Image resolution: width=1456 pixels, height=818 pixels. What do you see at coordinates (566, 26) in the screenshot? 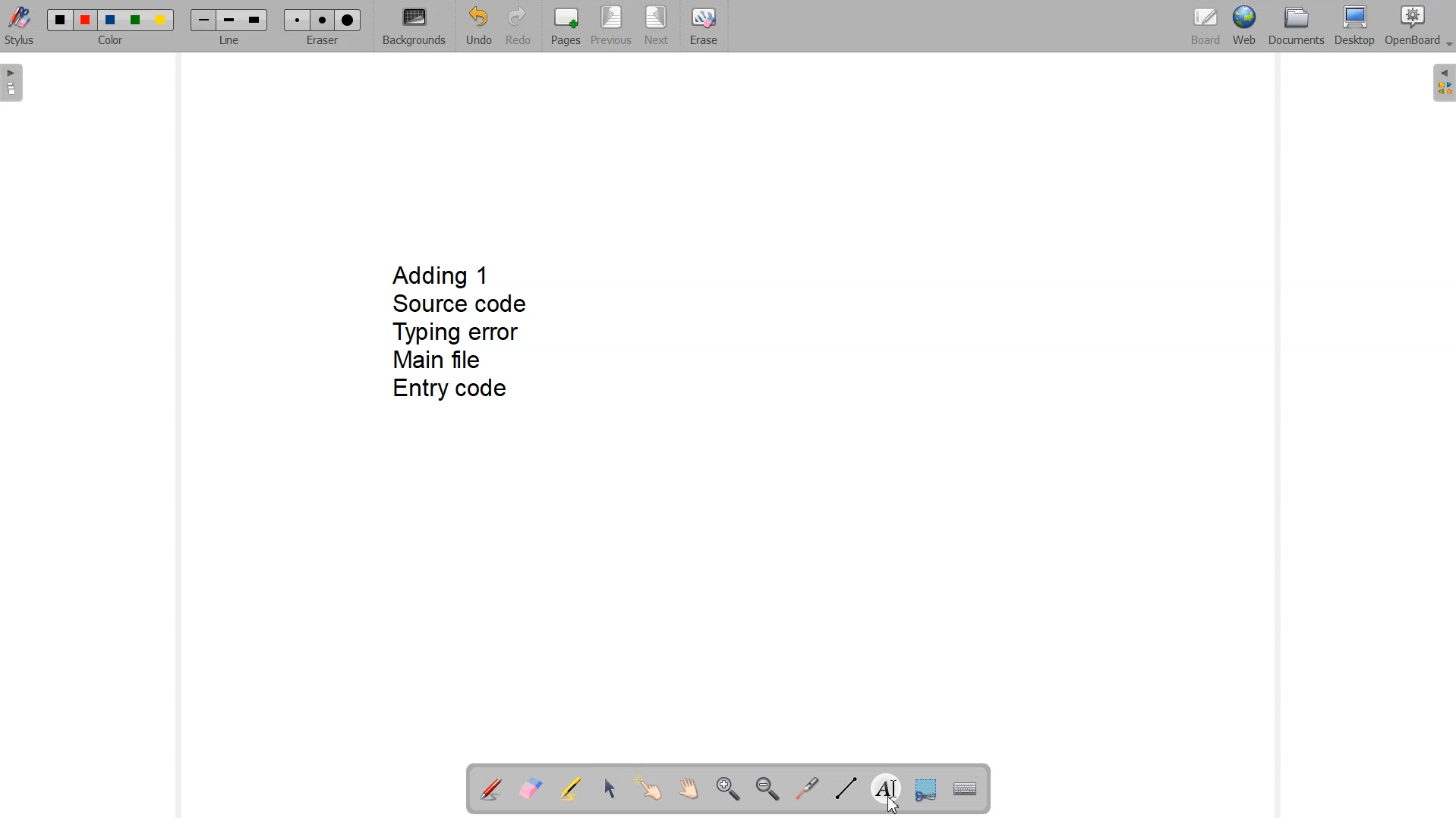
I see `Pages` at bounding box center [566, 26].